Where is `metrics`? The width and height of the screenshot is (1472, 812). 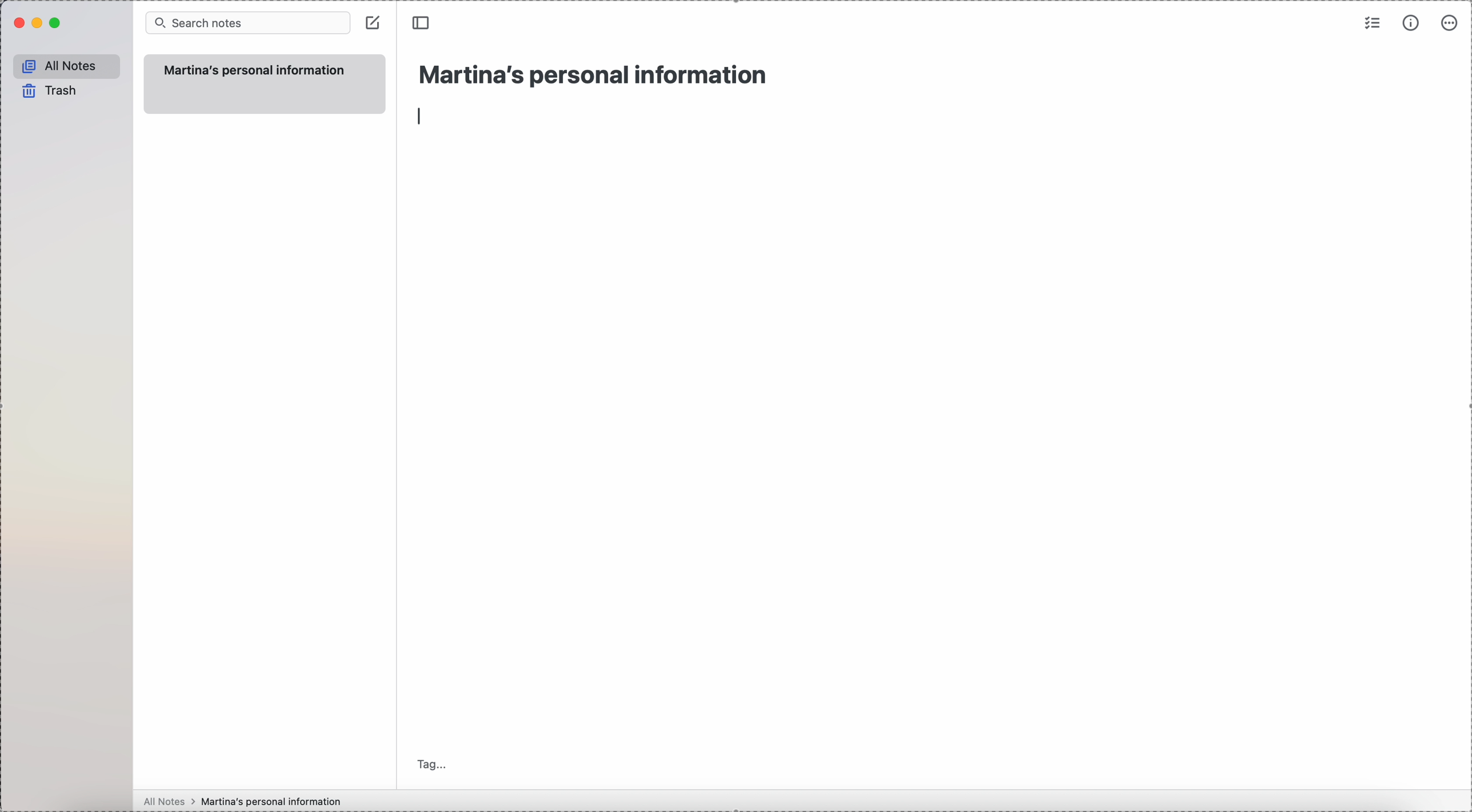 metrics is located at coordinates (1413, 23).